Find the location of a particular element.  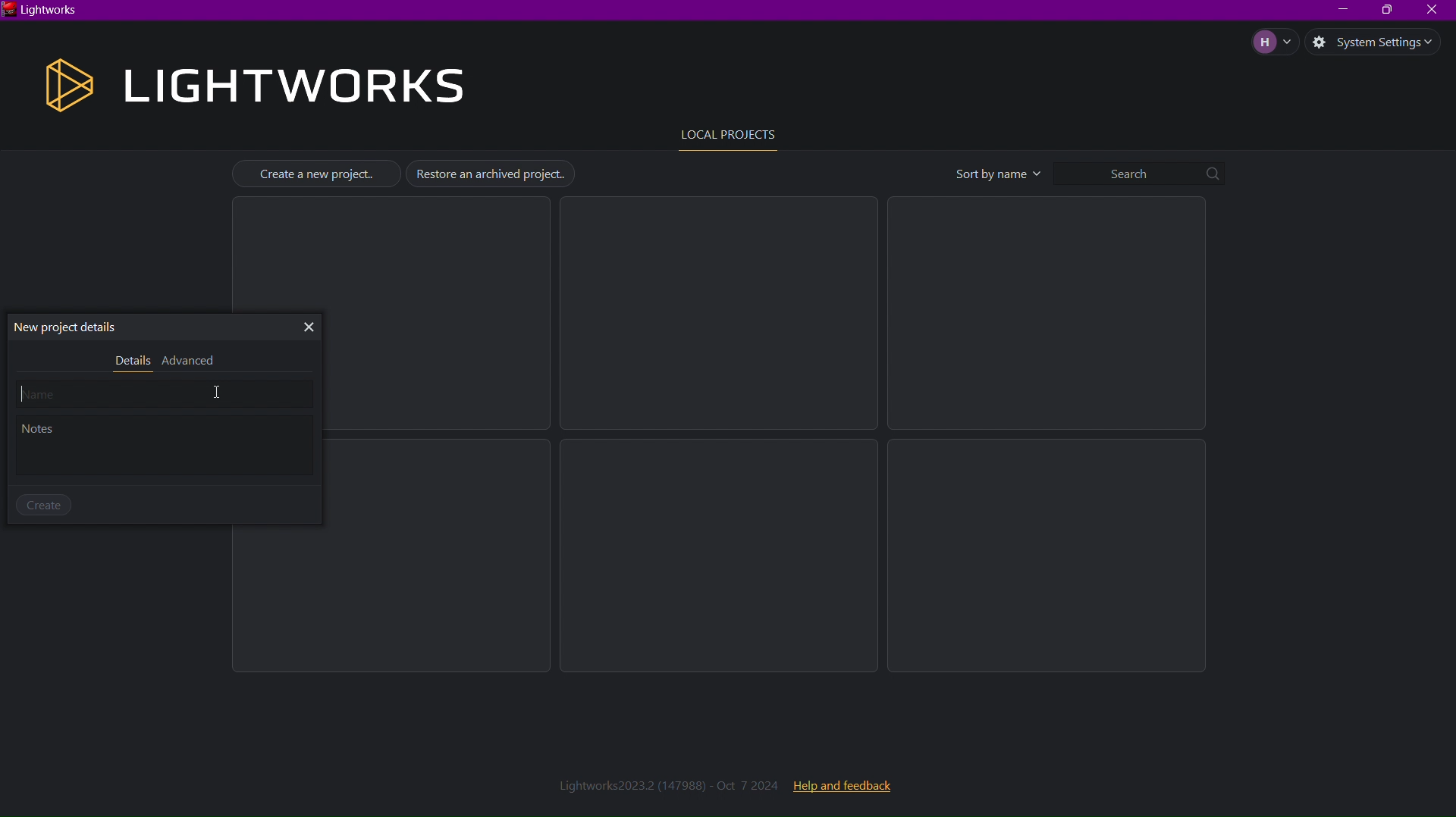

Lightworks2023.2 (147988) - Oct 7 2024 is located at coordinates (670, 783).